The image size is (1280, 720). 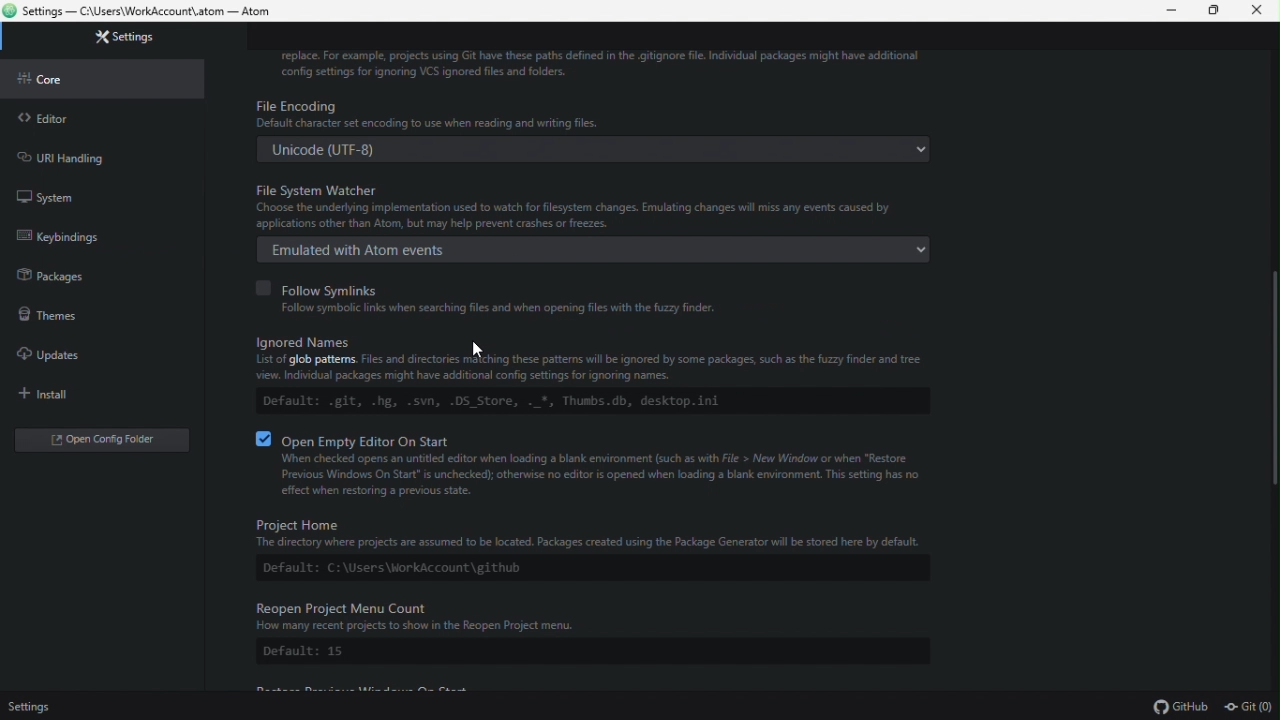 I want to click on open Config editor, so click(x=102, y=440).